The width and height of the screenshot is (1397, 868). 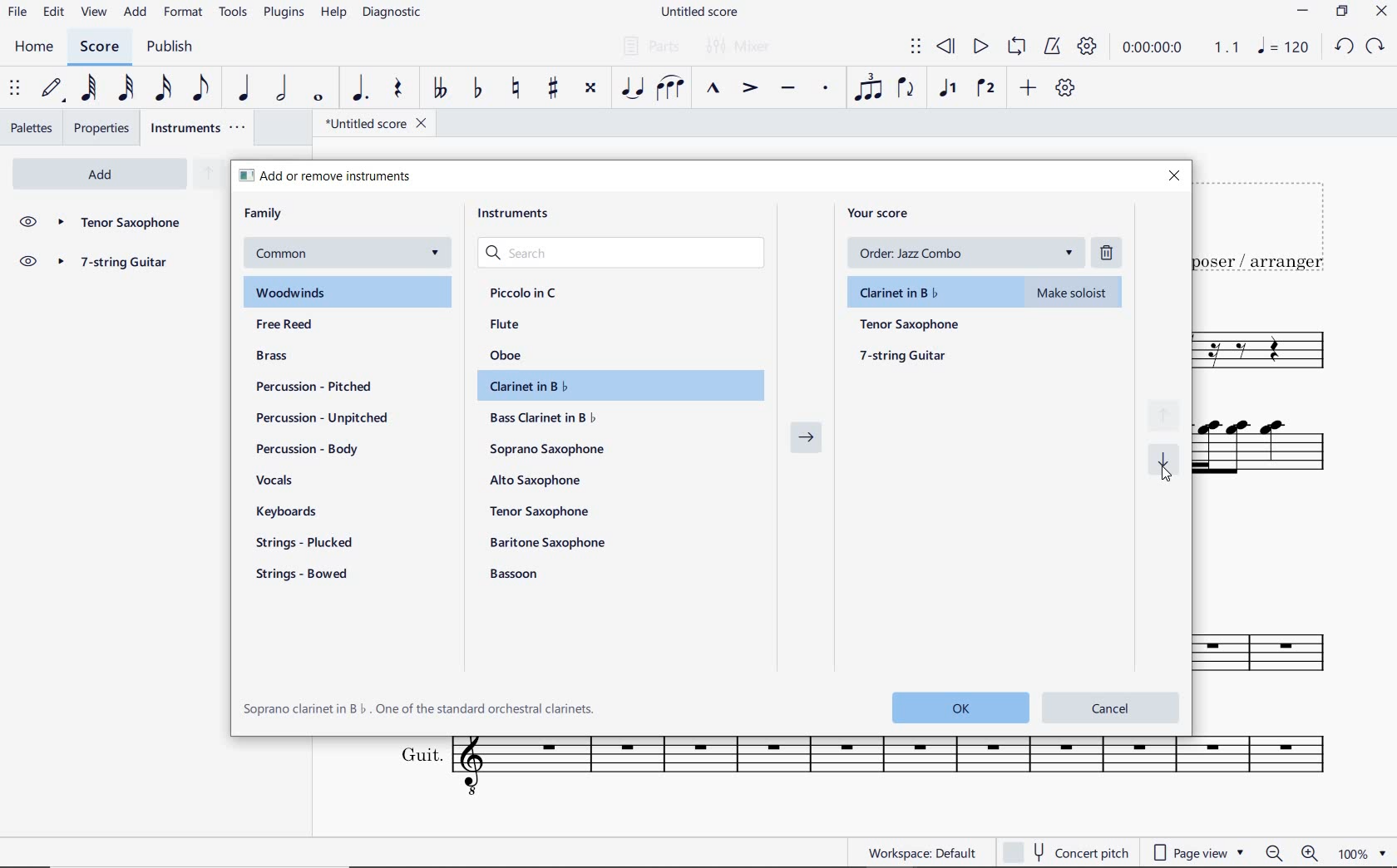 What do you see at coordinates (787, 91) in the screenshot?
I see `TENUTO` at bounding box center [787, 91].